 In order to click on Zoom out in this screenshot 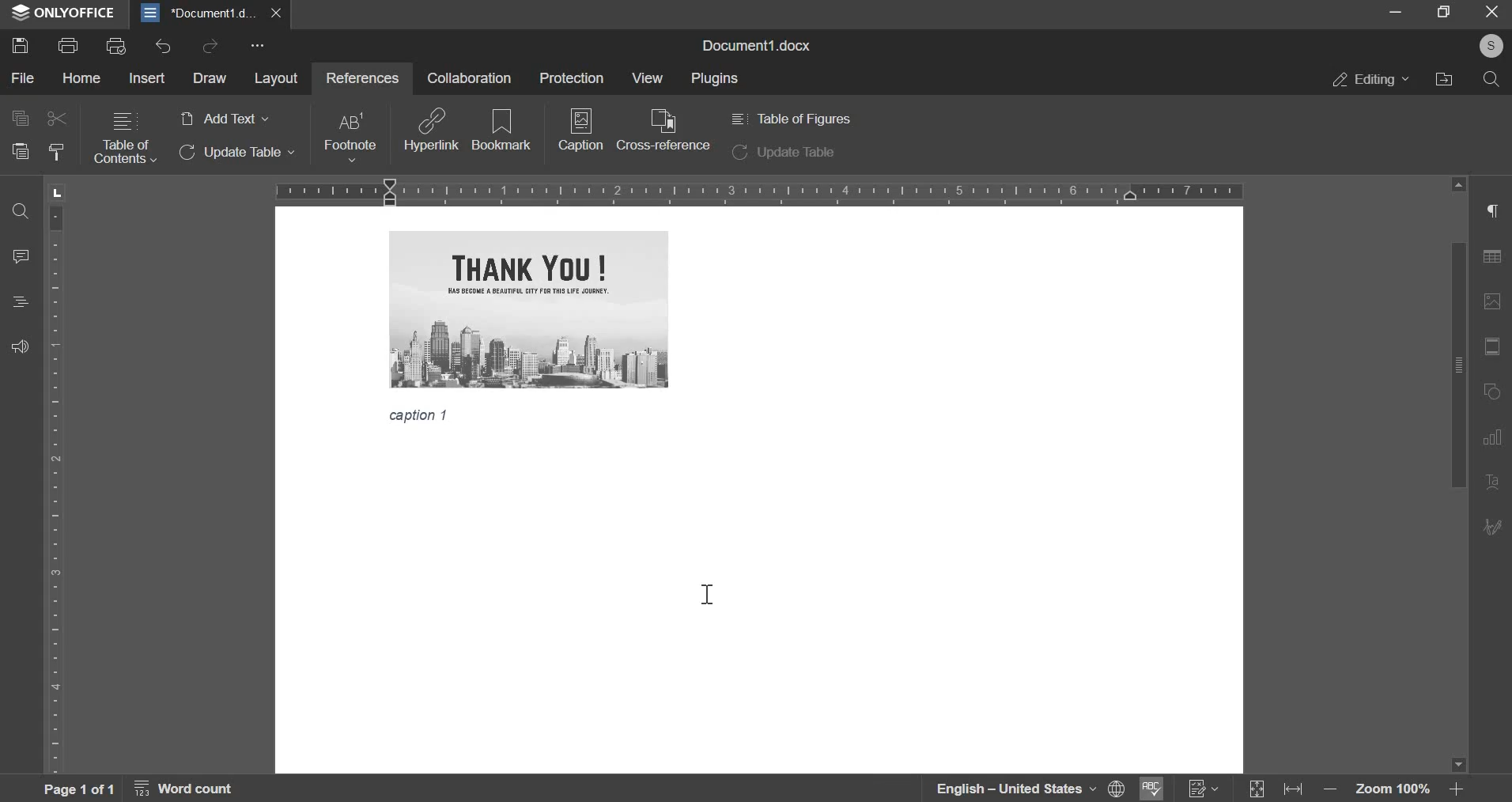, I will do `click(1334, 793)`.